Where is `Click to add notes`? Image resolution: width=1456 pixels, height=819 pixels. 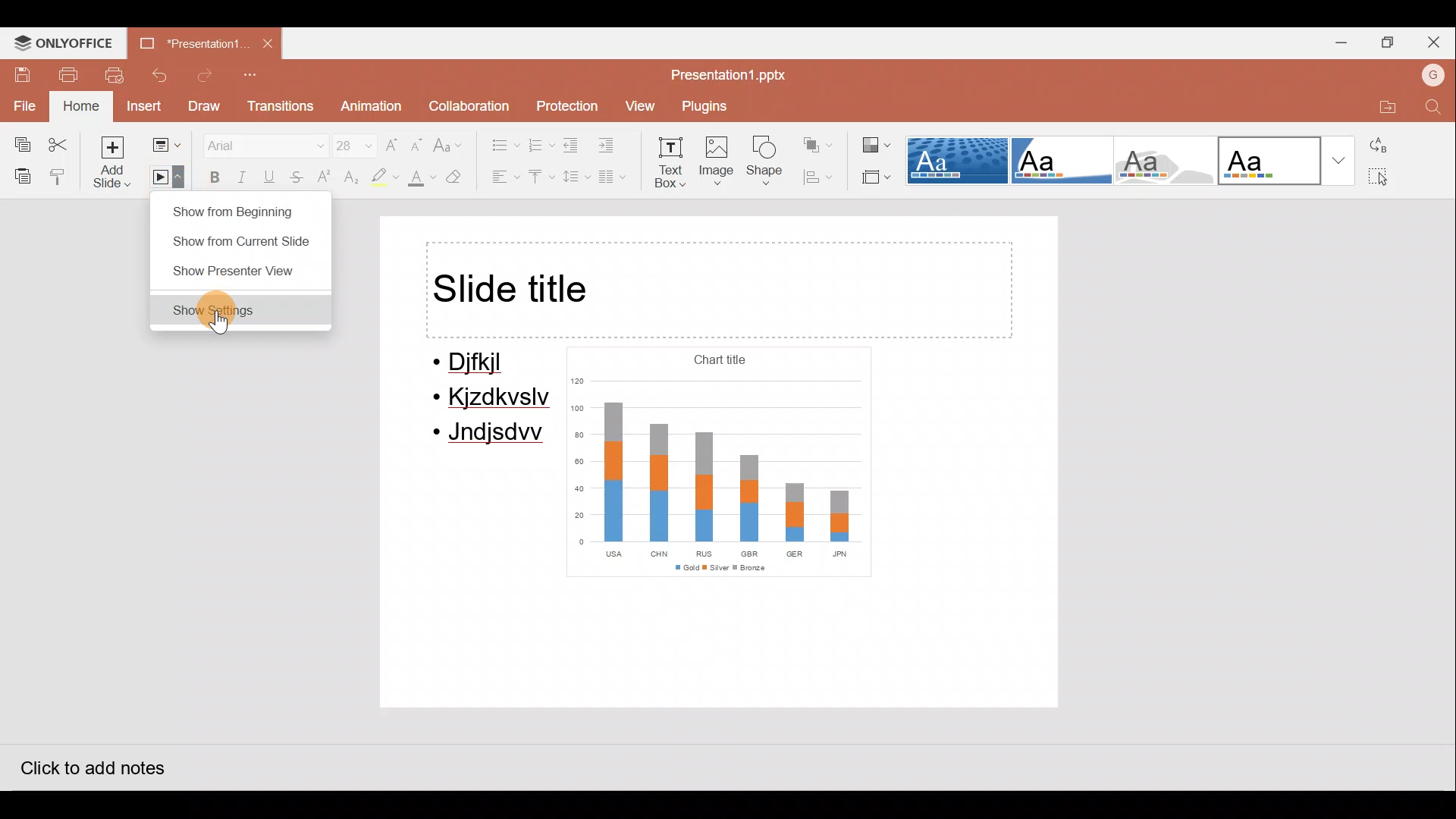 Click to add notes is located at coordinates (91, 767).